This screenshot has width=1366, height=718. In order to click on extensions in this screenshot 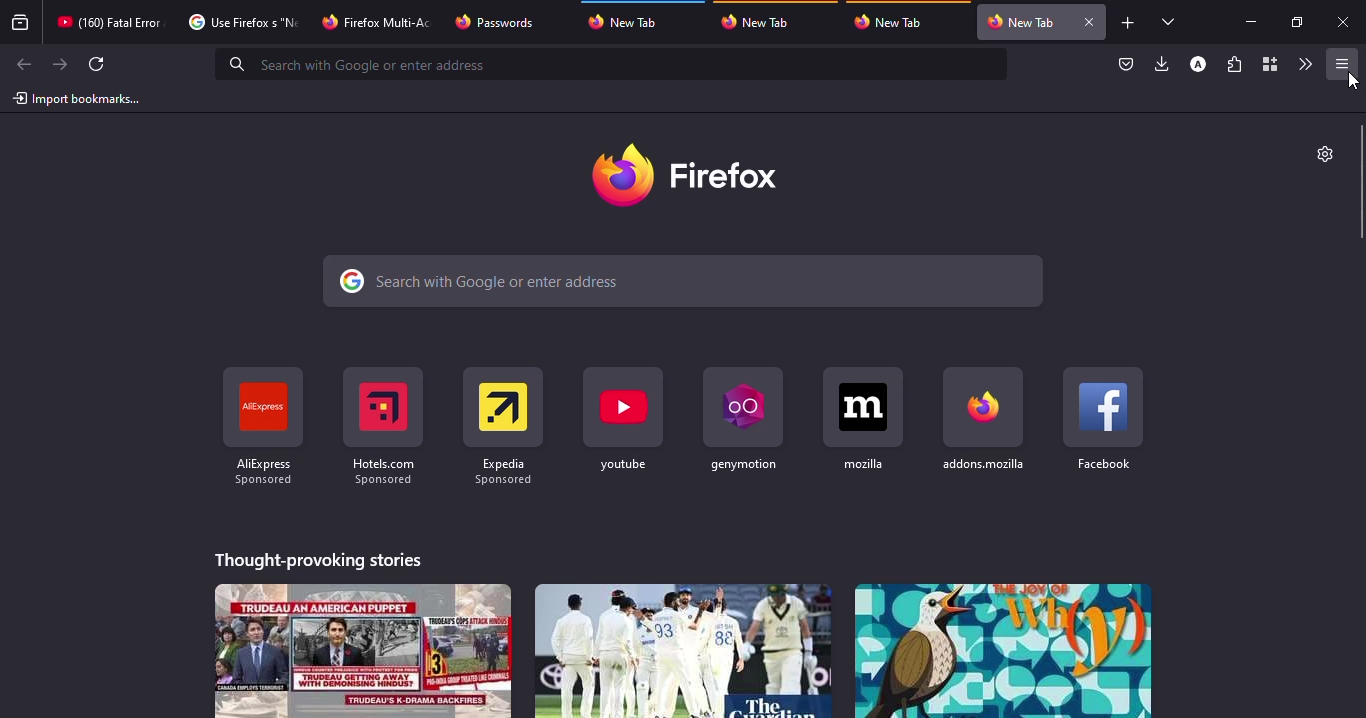, I will do `click(1234, 66)`.